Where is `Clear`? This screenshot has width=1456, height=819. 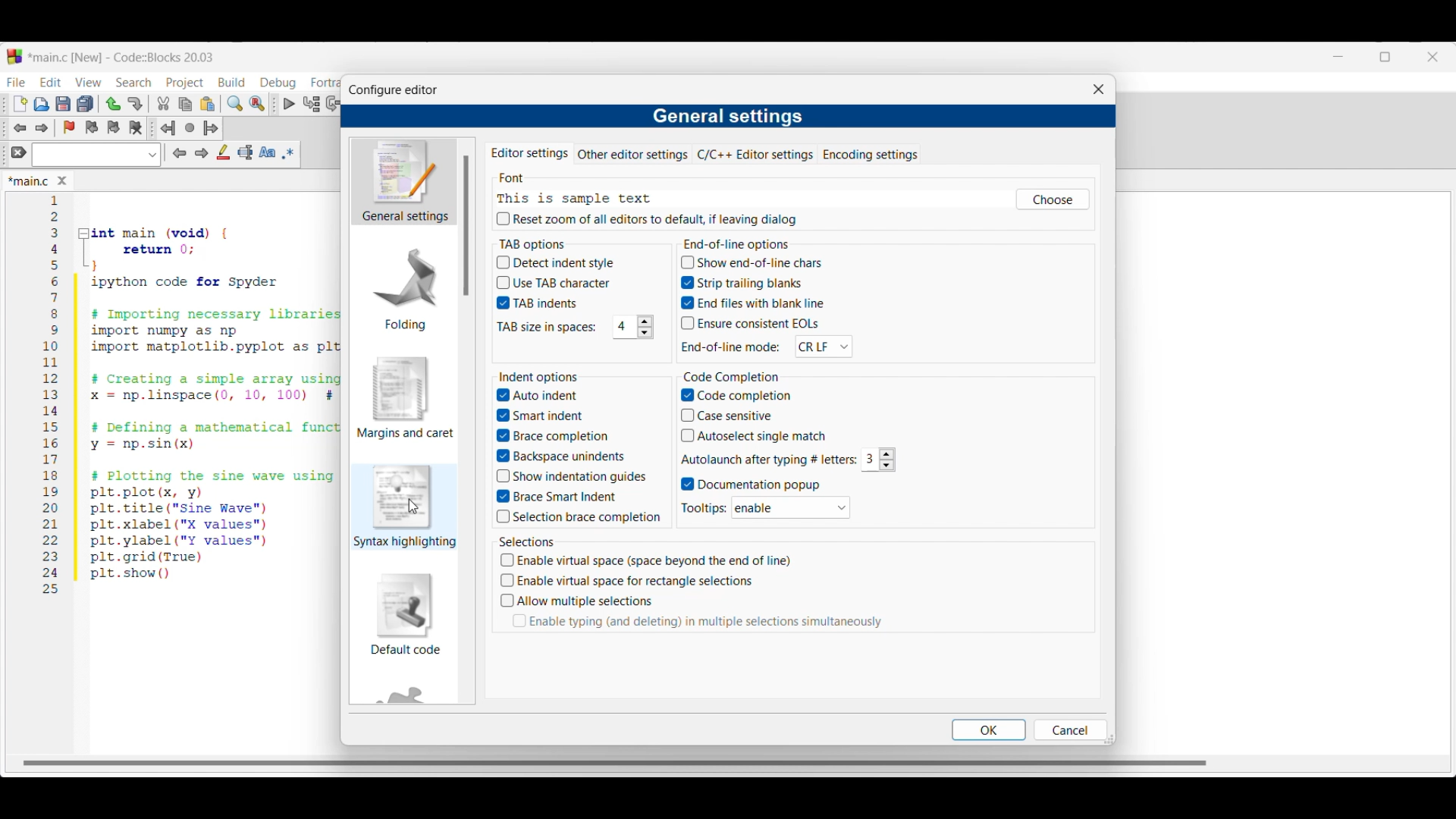
Clear is located at coordinates (19, 152).